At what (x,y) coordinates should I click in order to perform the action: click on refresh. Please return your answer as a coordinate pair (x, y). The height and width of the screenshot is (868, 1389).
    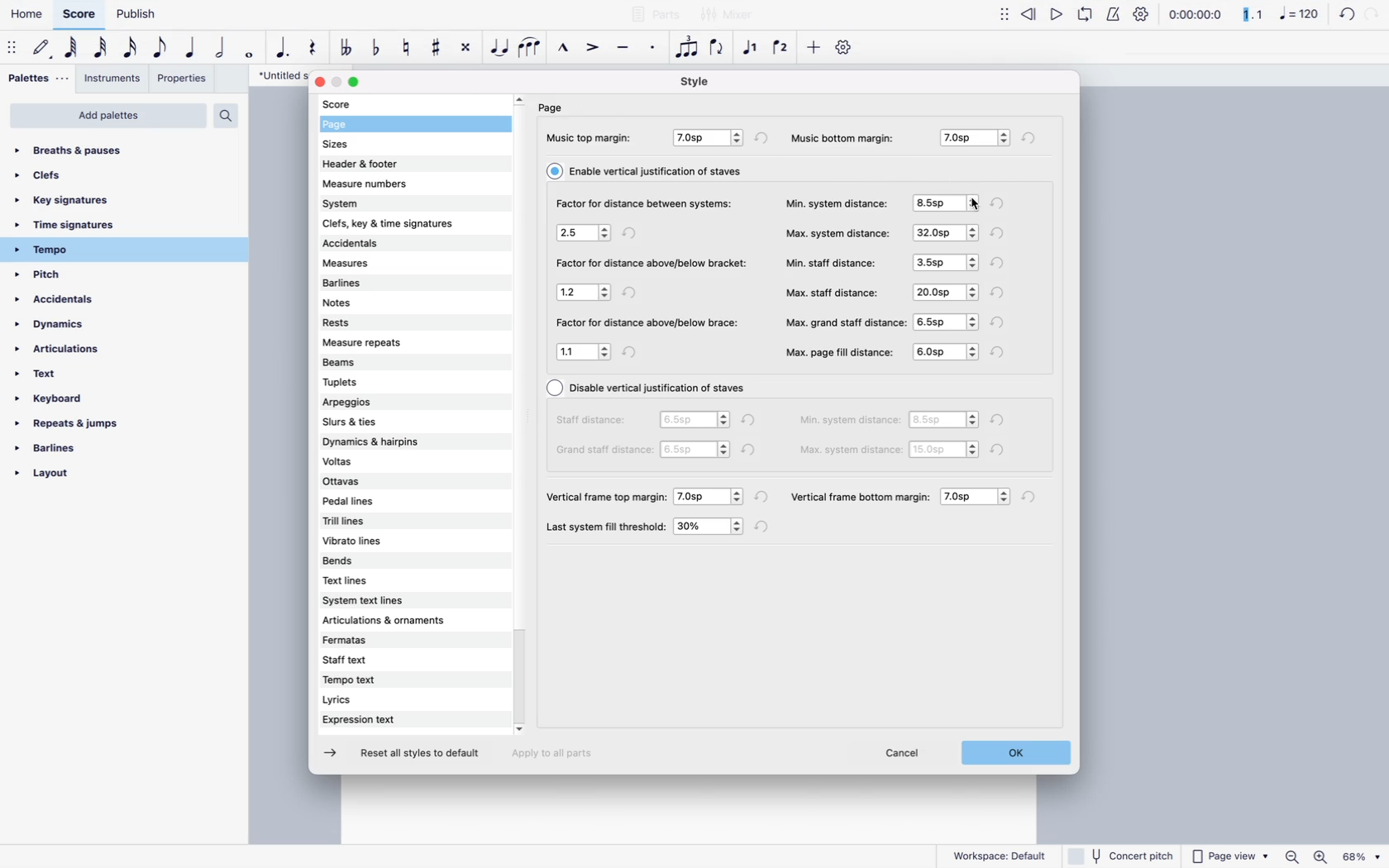
    Looking at the image, I should click on (636, 351).